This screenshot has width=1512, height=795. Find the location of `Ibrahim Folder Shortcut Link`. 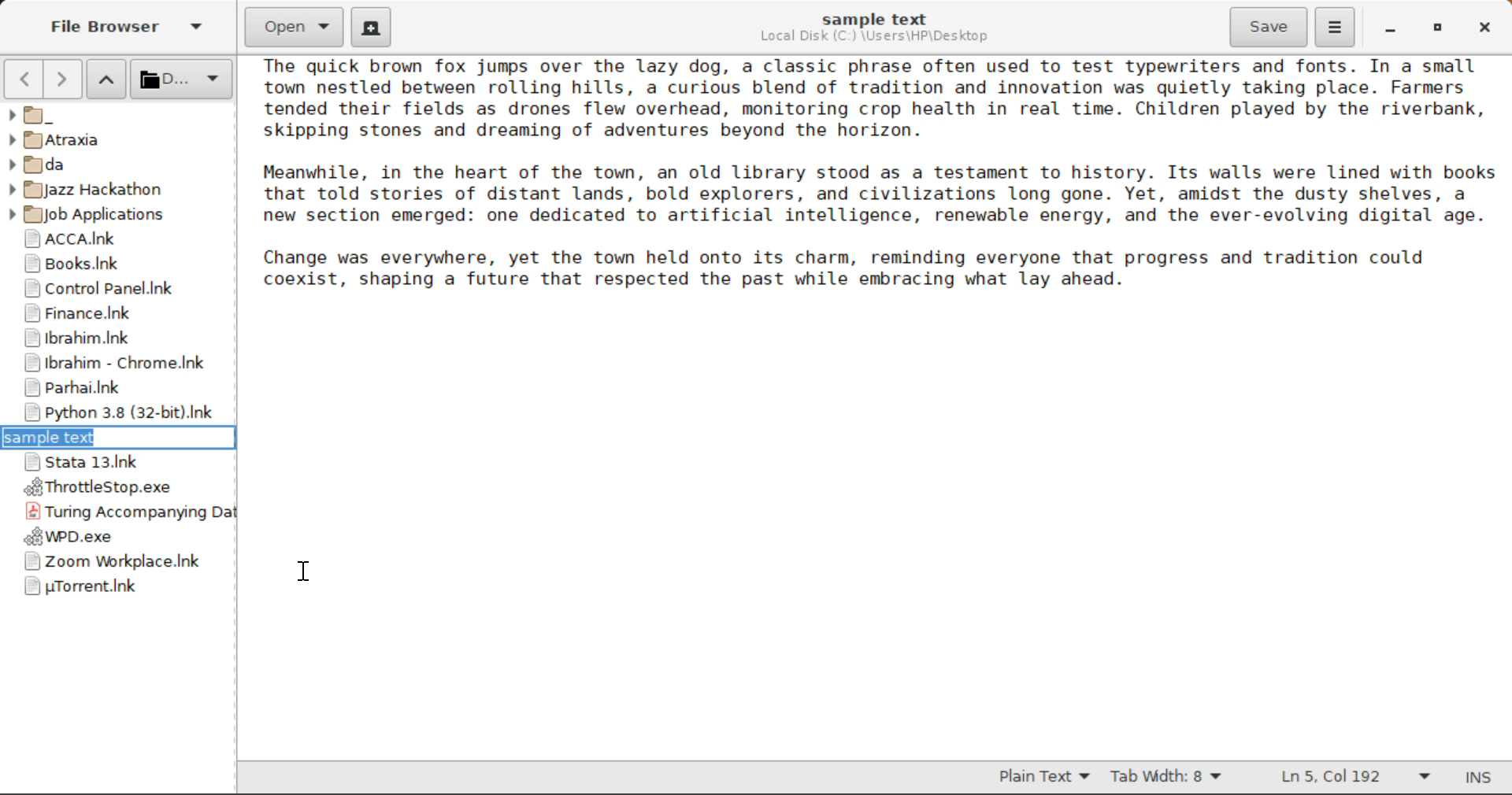

Ibrahim Folder Shortcut Link is located at coordinates (117, 339).